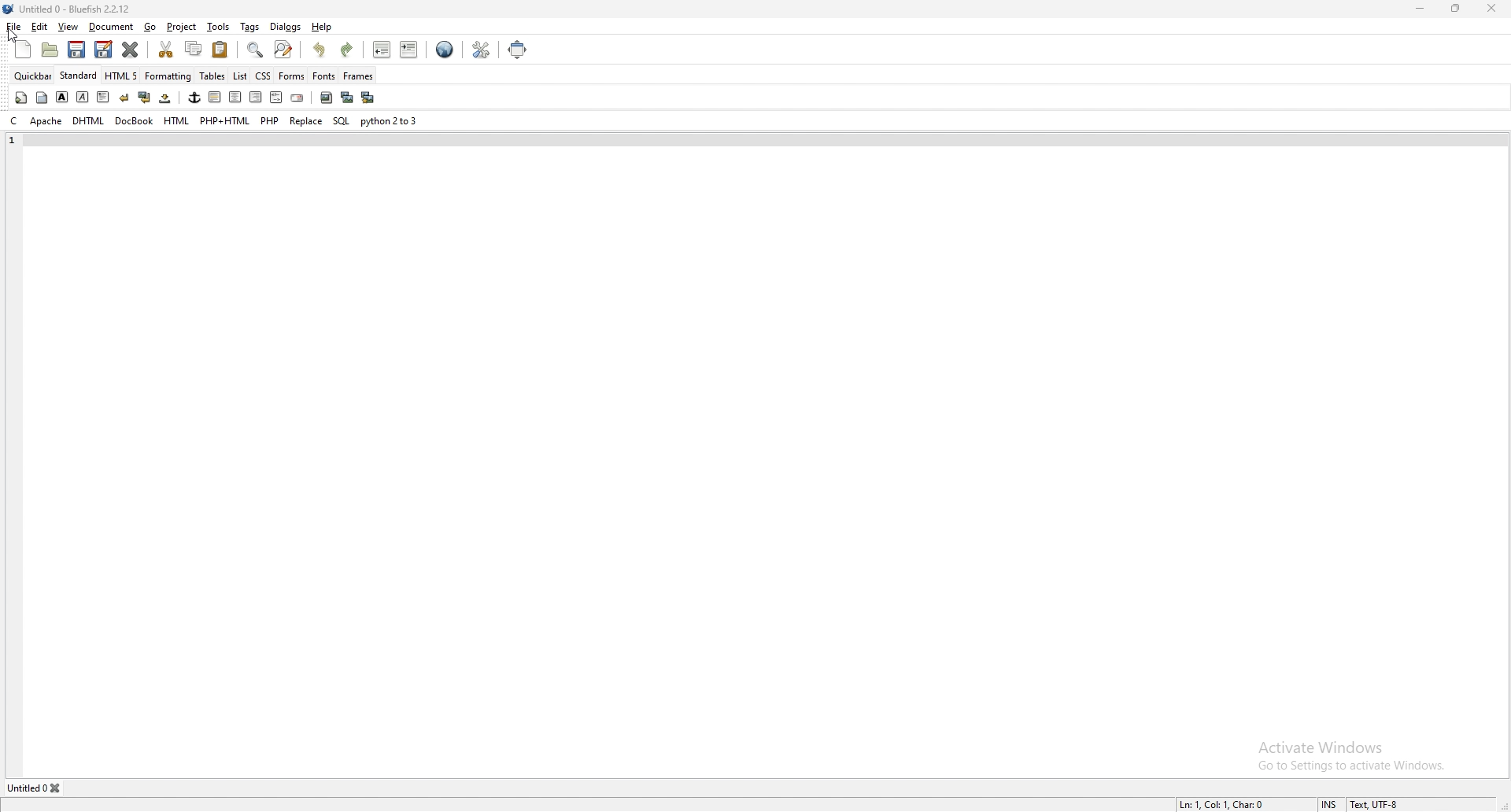 This screenshot has height=812, width=1511. Describe the element at coordinates (62, 98) in the screenshot. I see `bold` at that location.